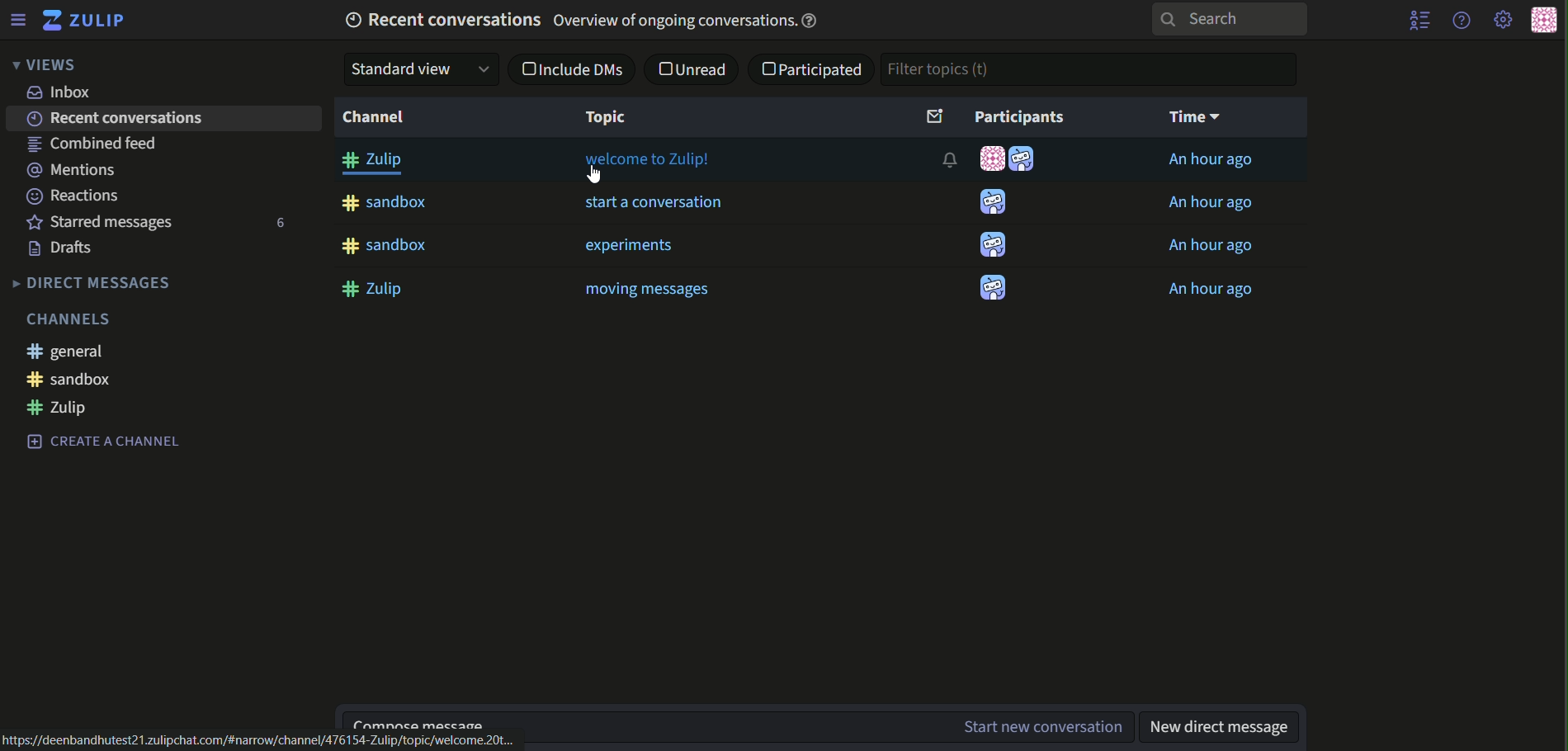  Describe the element at coordinates (1504, 21) in the screenshot. I see `main menu` at that location.